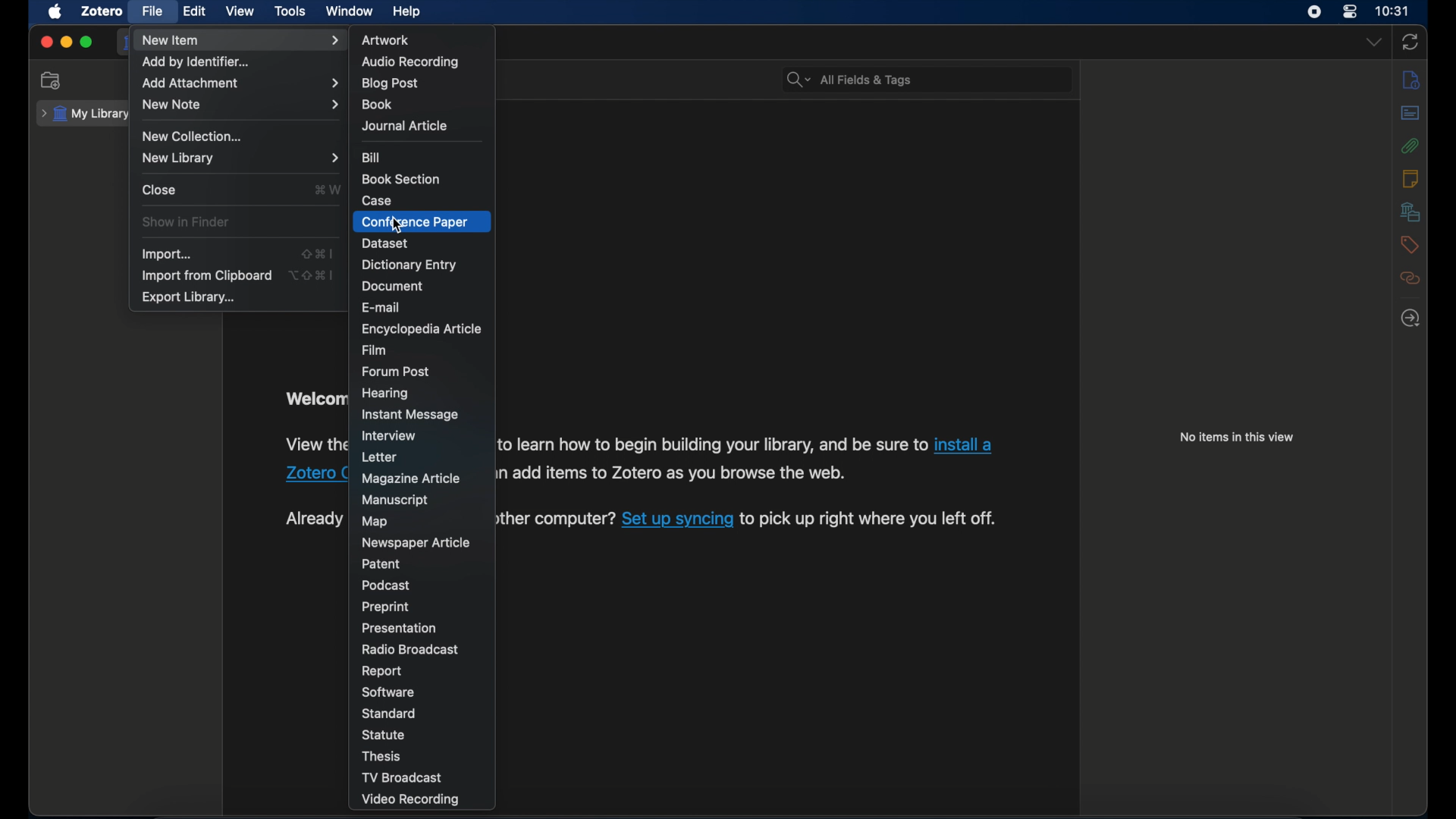  What do you see at coordinates (385, 607) in the screenshot?
I see `preprint` at bounding box center [385, 607].